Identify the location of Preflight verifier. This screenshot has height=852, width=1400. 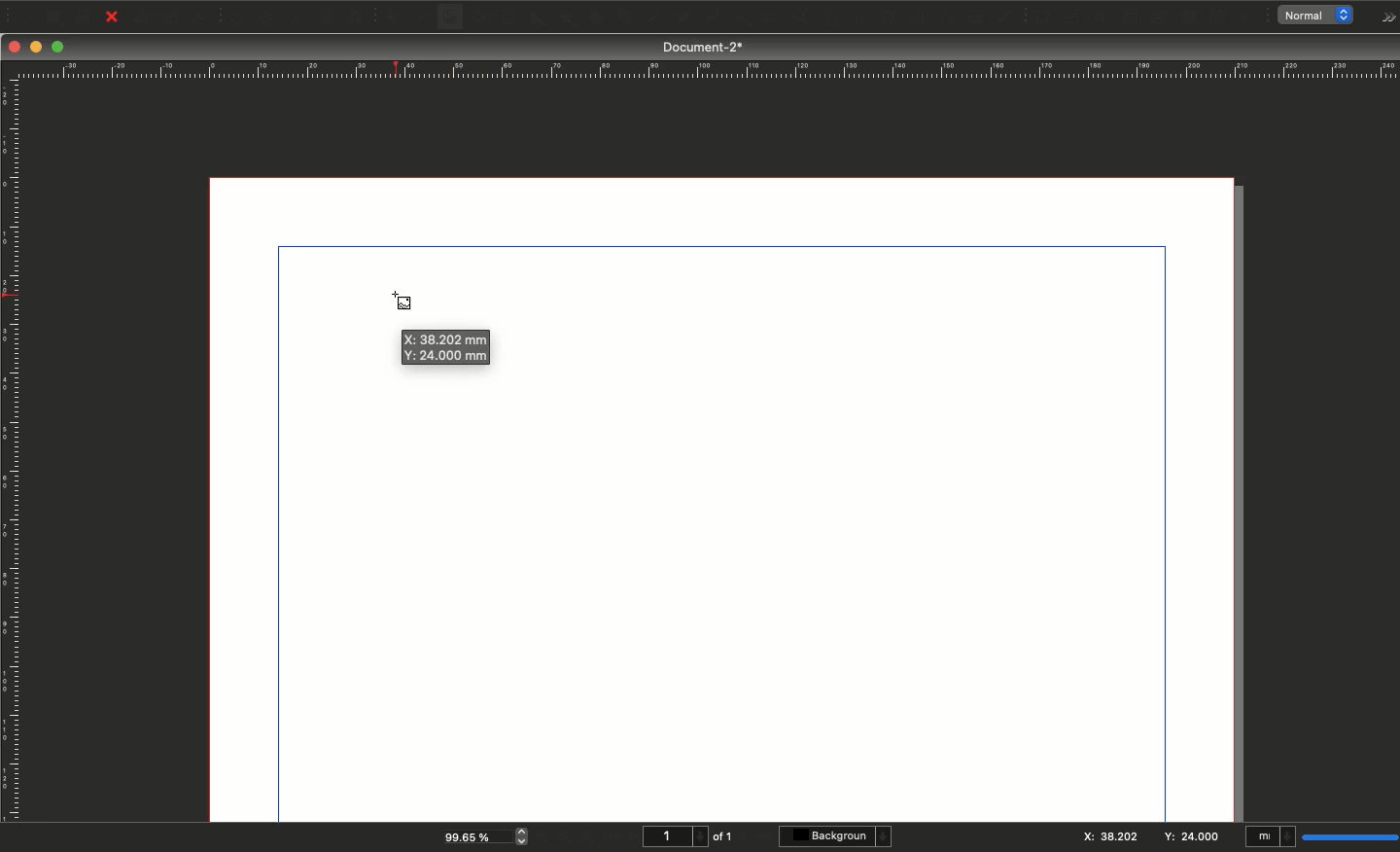
(172, 20).